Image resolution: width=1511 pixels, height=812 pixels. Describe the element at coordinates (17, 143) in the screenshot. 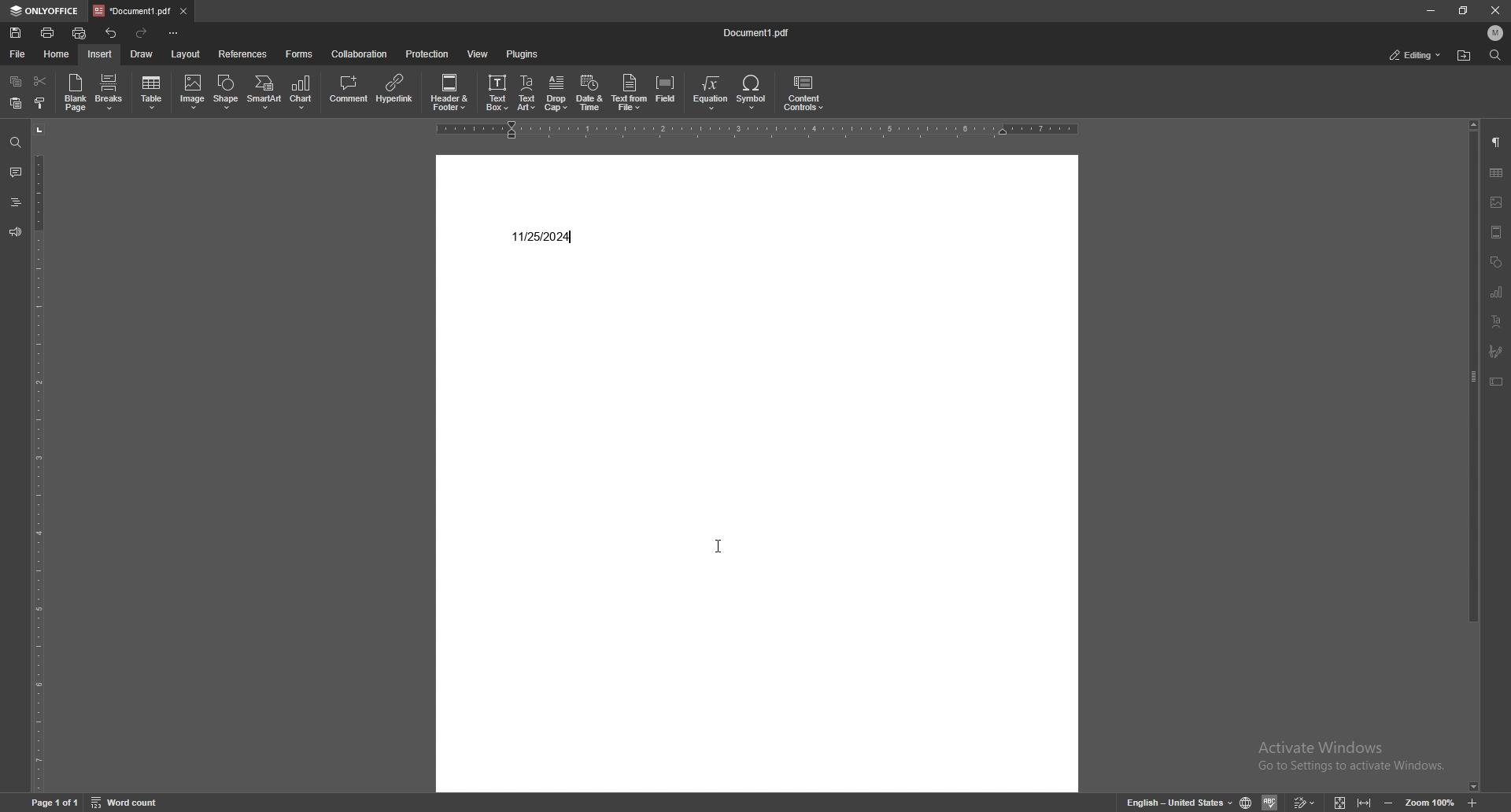

I see `find` at that location.